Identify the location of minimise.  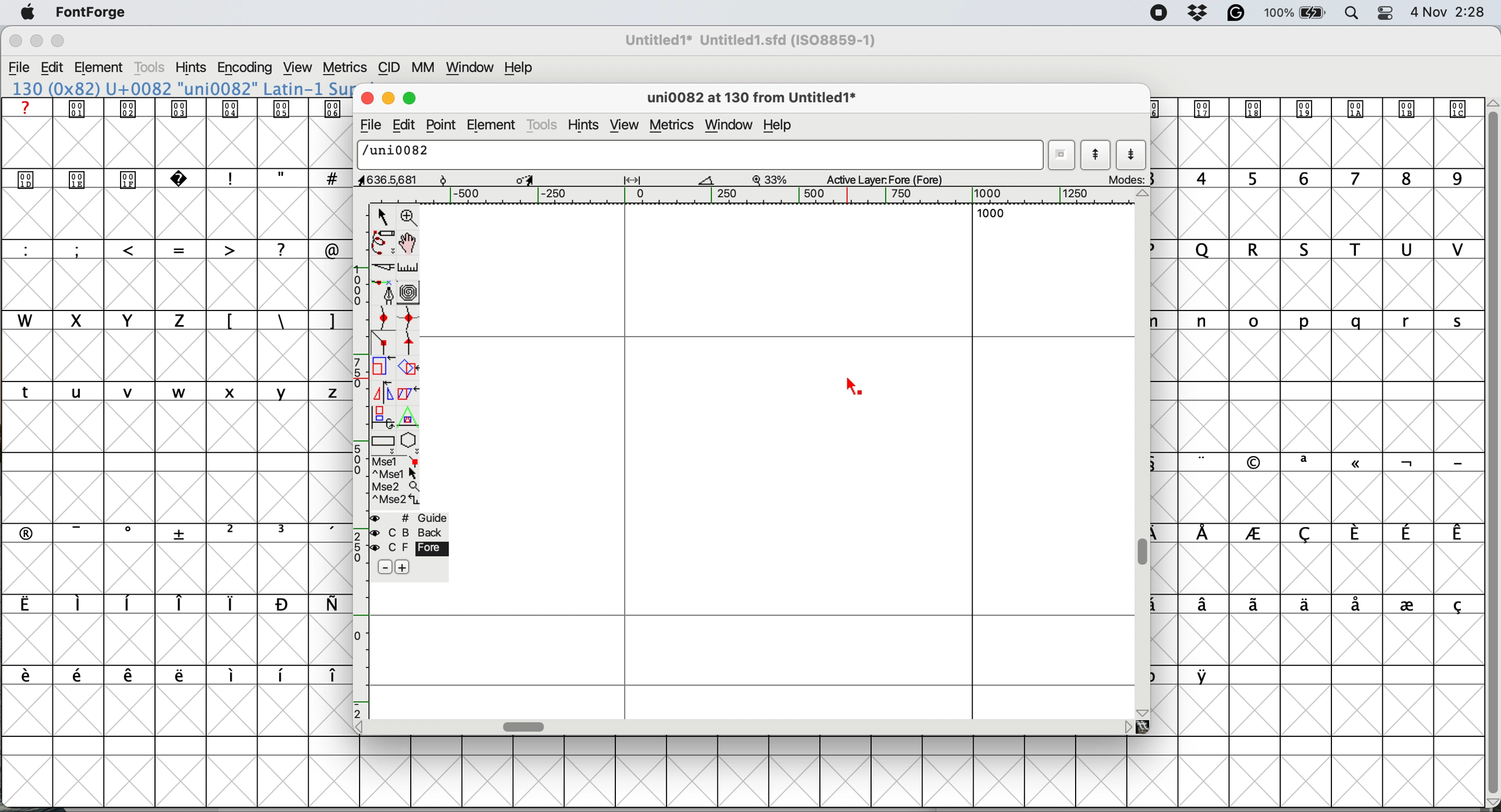
(386, 97).